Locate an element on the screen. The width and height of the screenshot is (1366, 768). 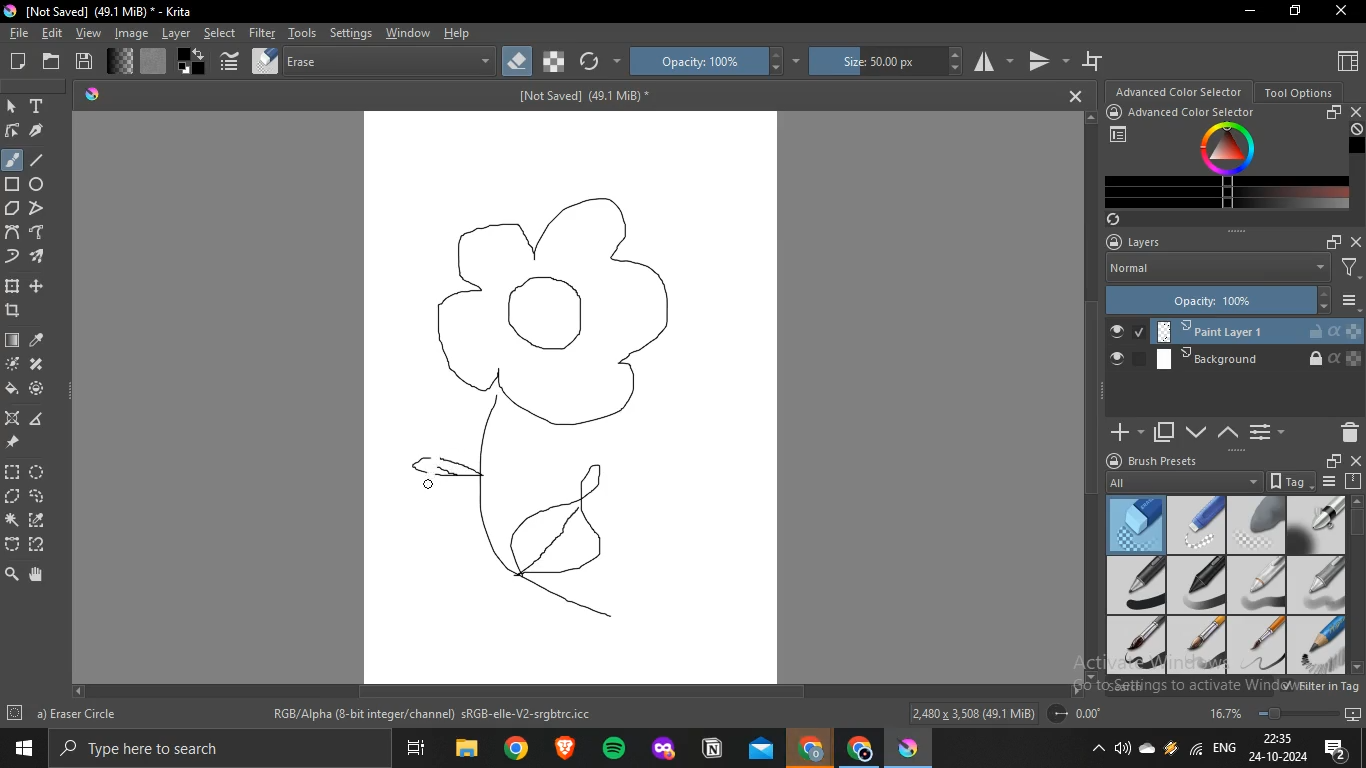
Up is located at coordinates (1093, 116).